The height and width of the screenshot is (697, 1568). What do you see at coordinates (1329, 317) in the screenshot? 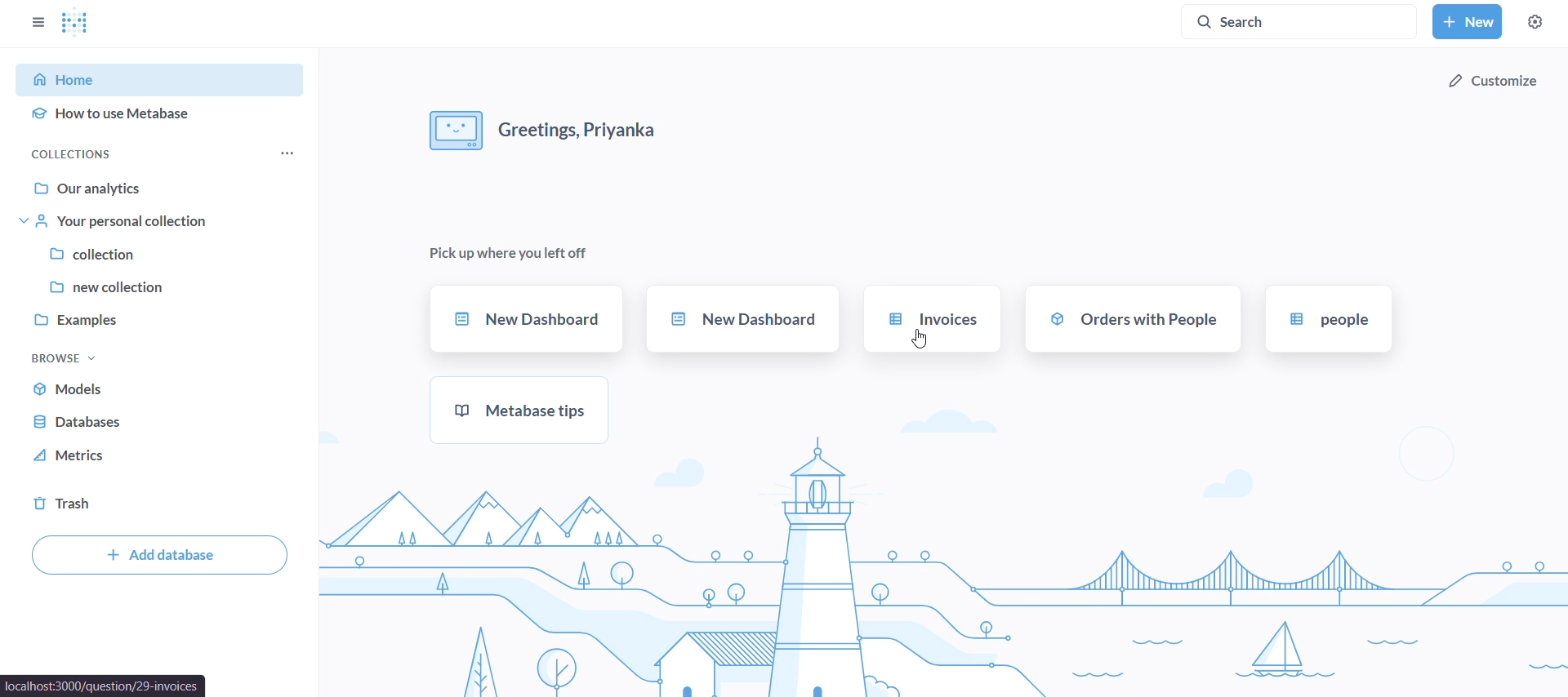
I see `people` at bounding box center [1329, 317].